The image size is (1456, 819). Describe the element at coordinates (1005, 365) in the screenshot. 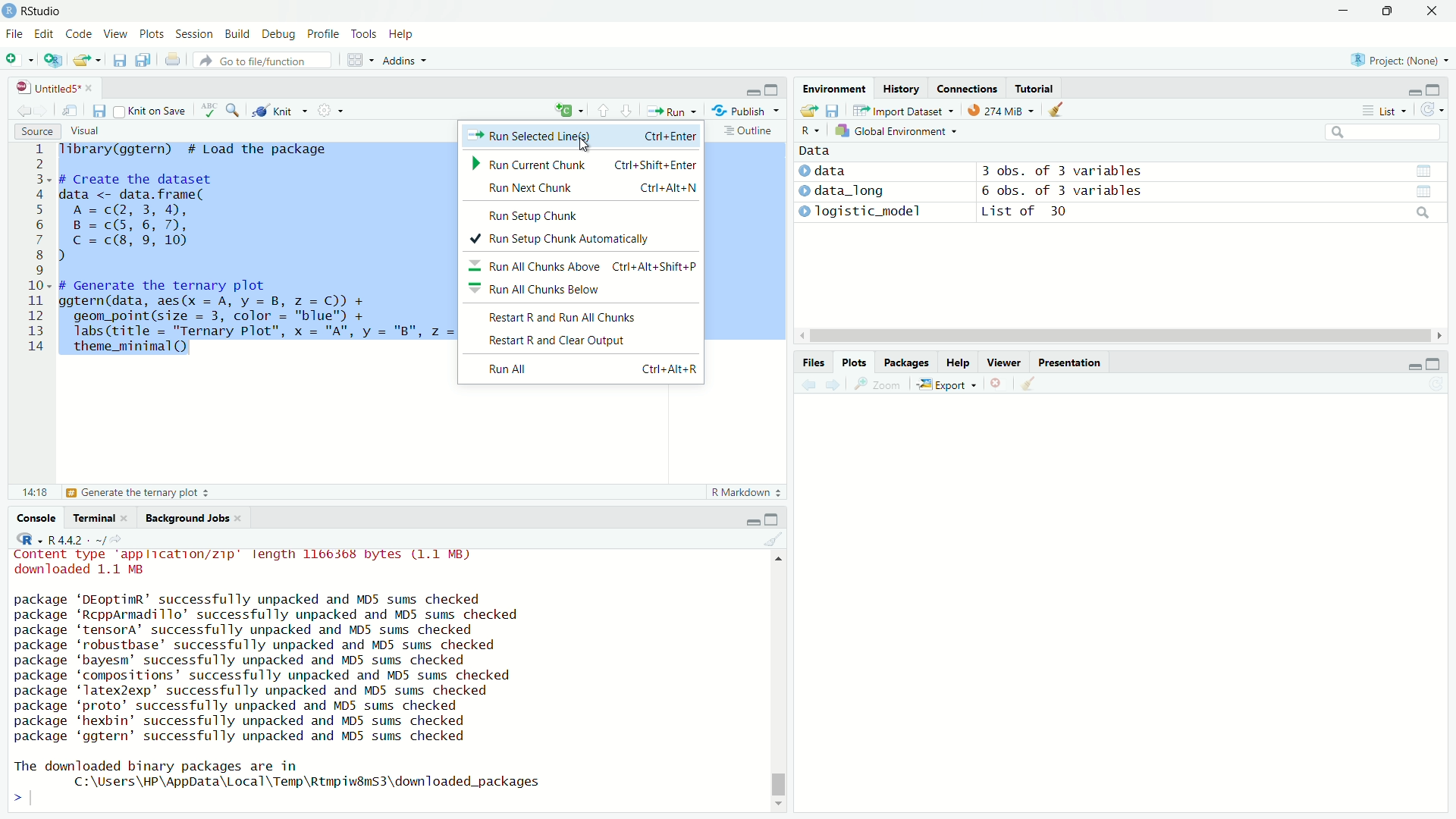

I see `Viewer` at that location.